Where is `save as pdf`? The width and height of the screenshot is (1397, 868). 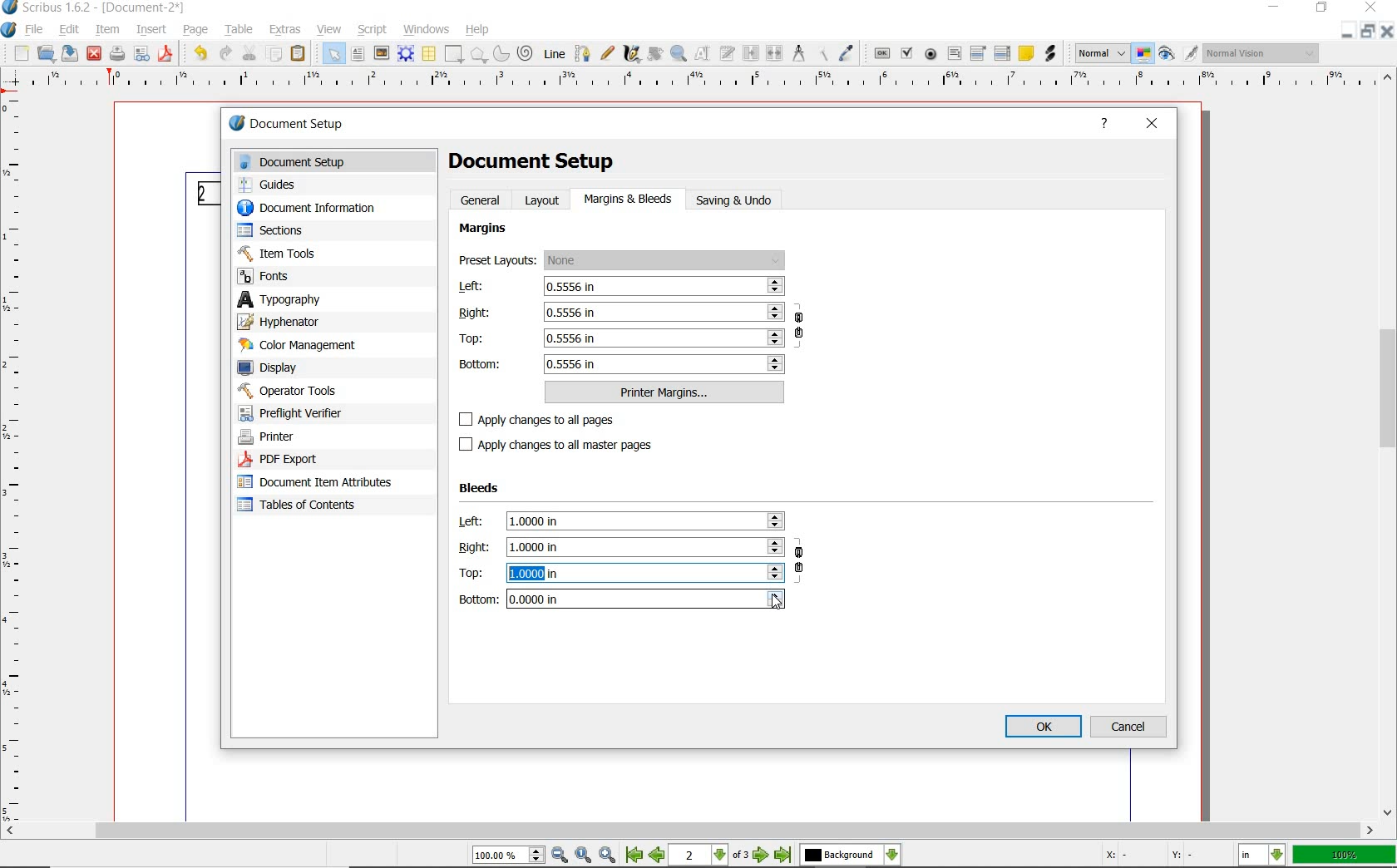
save as pdf is located at coordinates (165, 54).